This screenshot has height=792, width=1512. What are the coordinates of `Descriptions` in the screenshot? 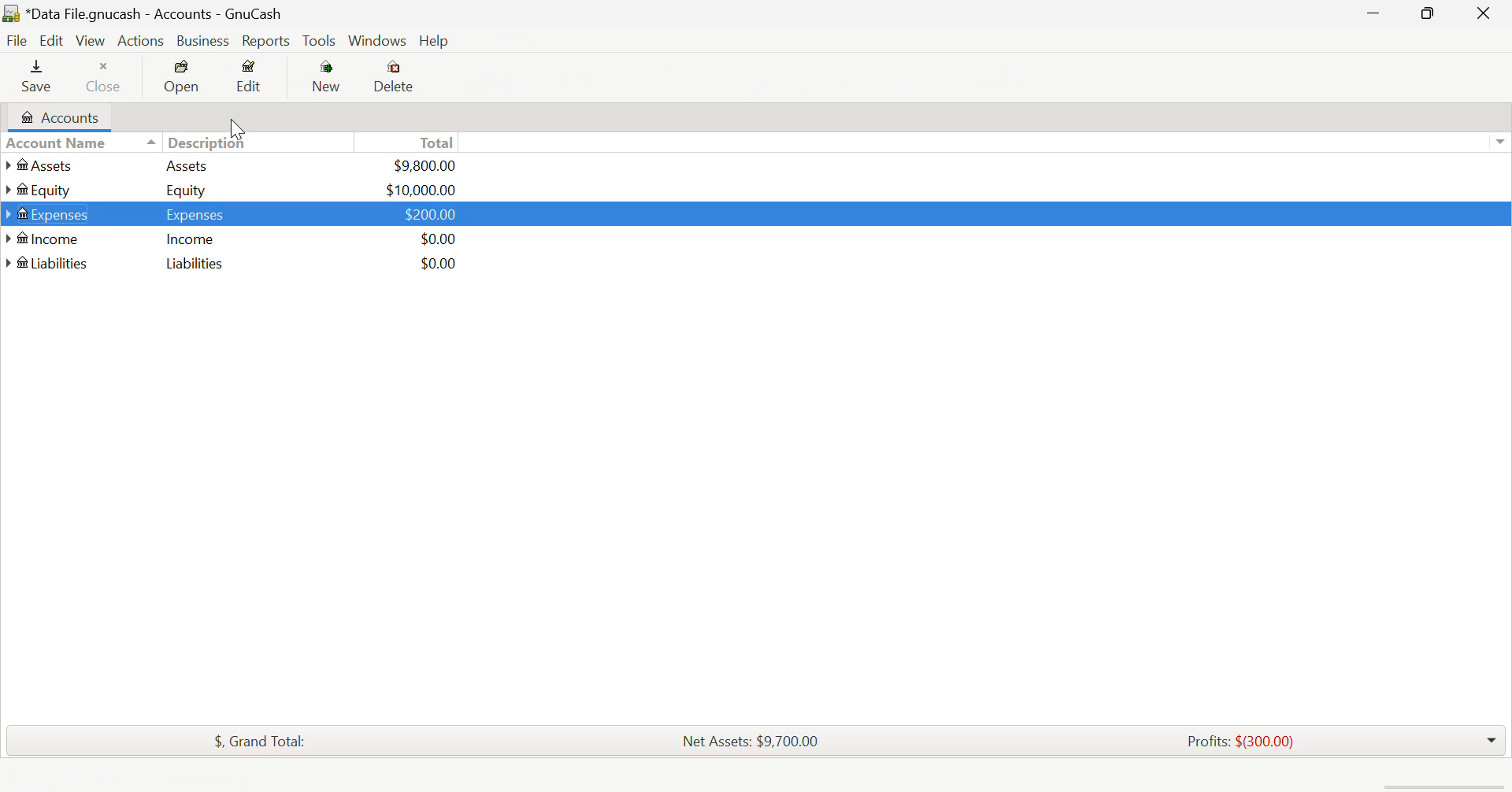 It's located at (207, 143).